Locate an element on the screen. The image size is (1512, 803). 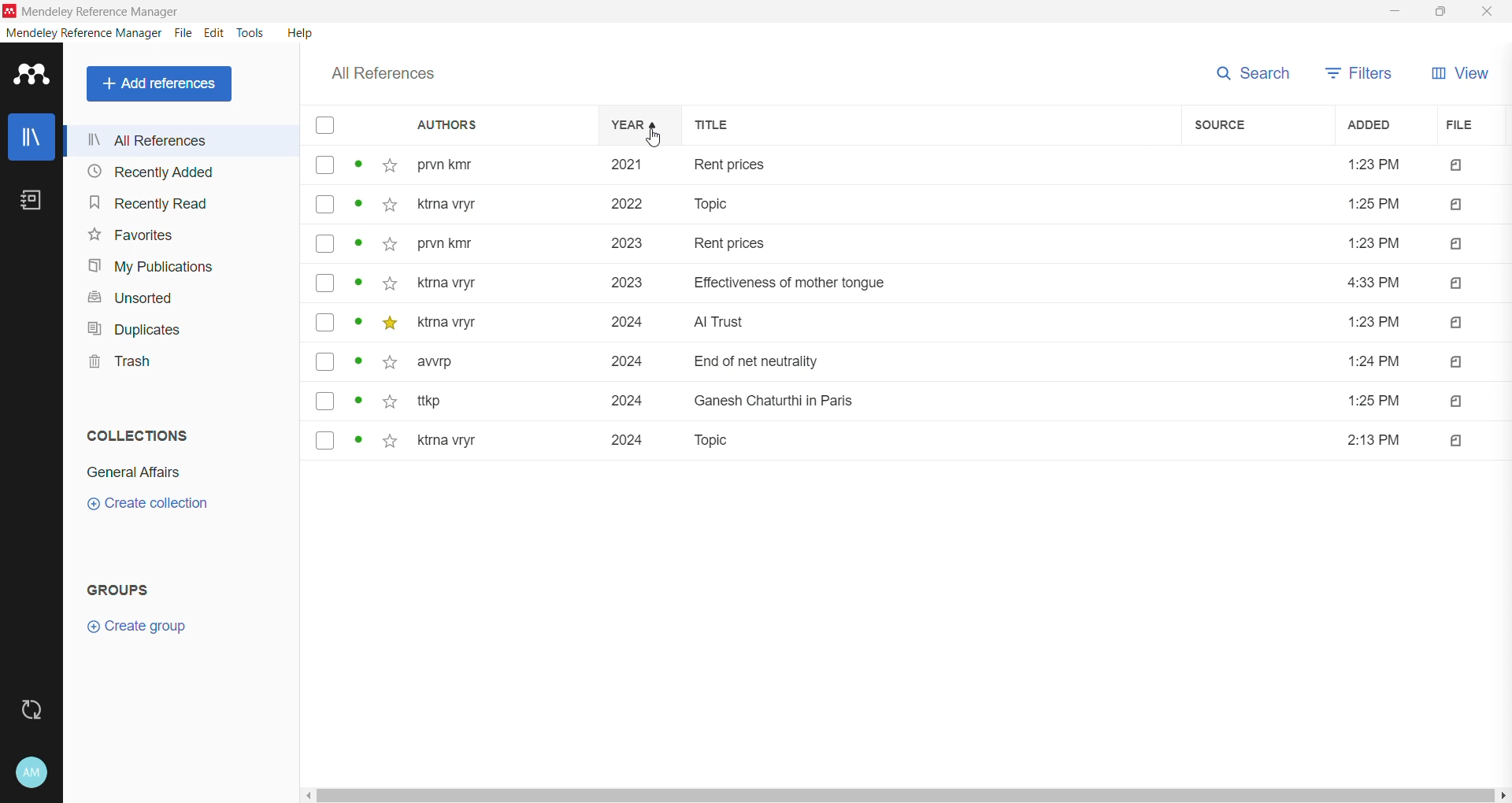
Application Logo is located at coordinates (32, 73).